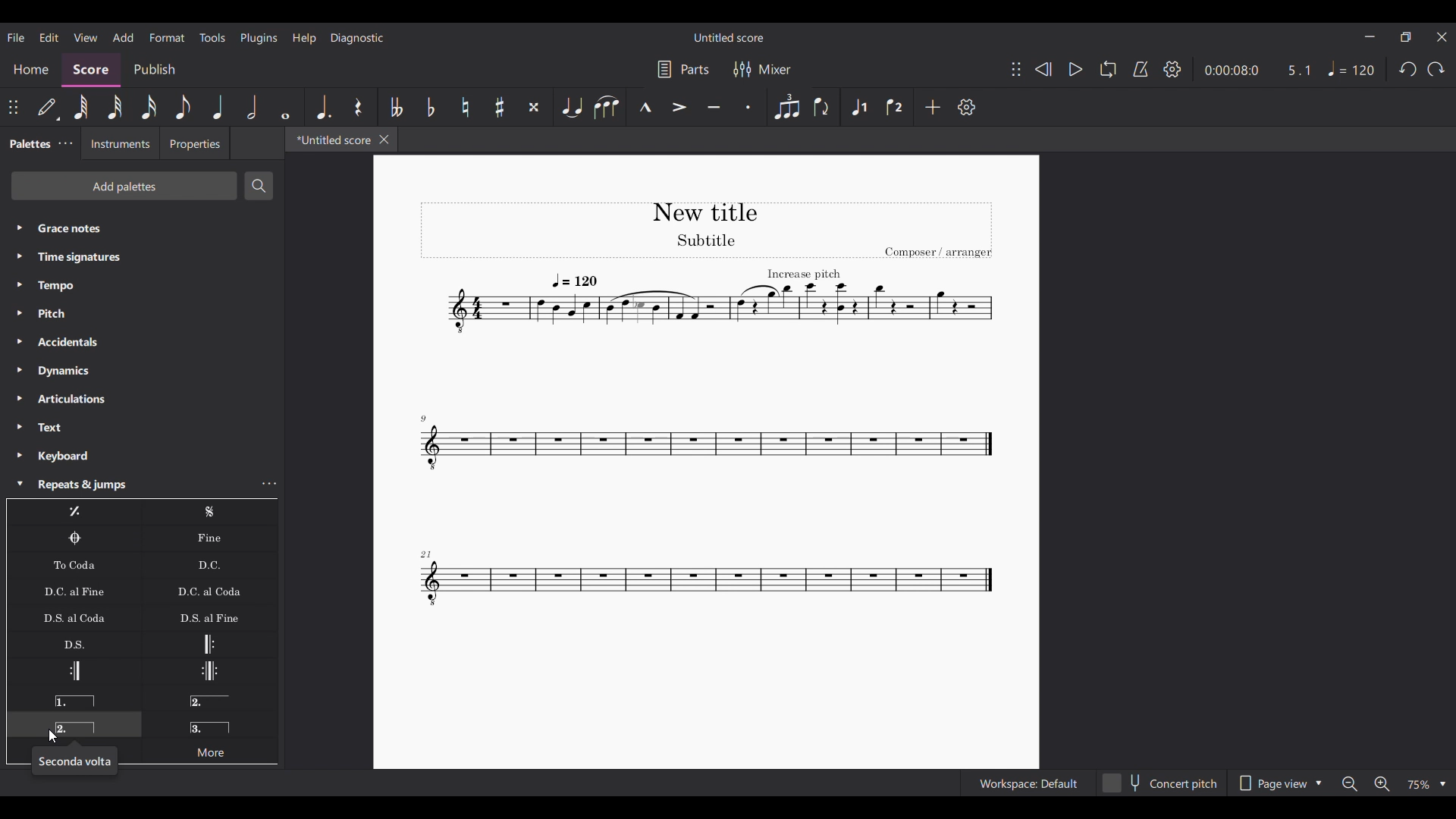  Describe the element at coordinates (210, 512) in the screenshot. I see `Segno` at that location.